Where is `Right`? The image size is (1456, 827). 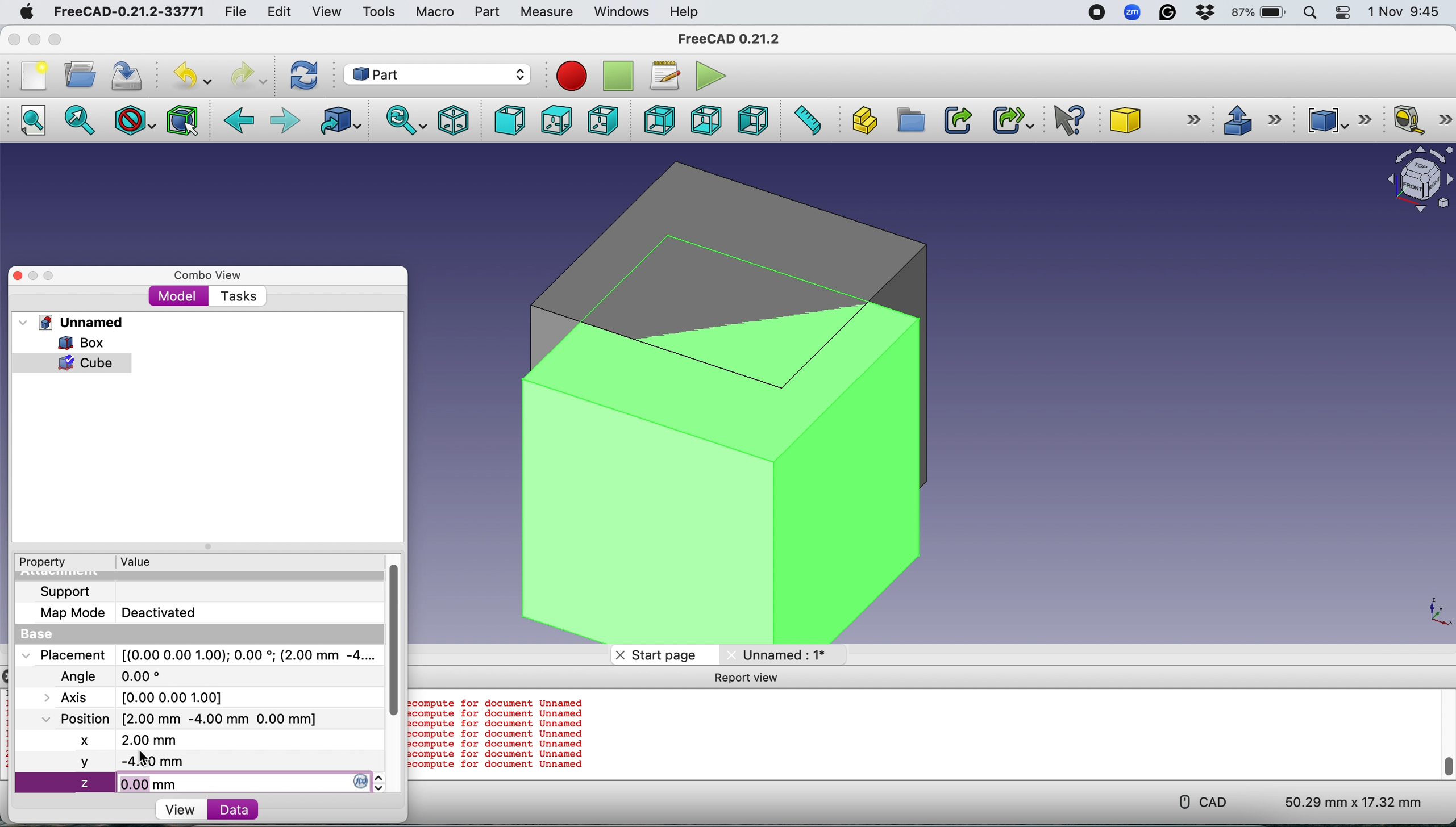 Right is located at coordinates (603, 122).